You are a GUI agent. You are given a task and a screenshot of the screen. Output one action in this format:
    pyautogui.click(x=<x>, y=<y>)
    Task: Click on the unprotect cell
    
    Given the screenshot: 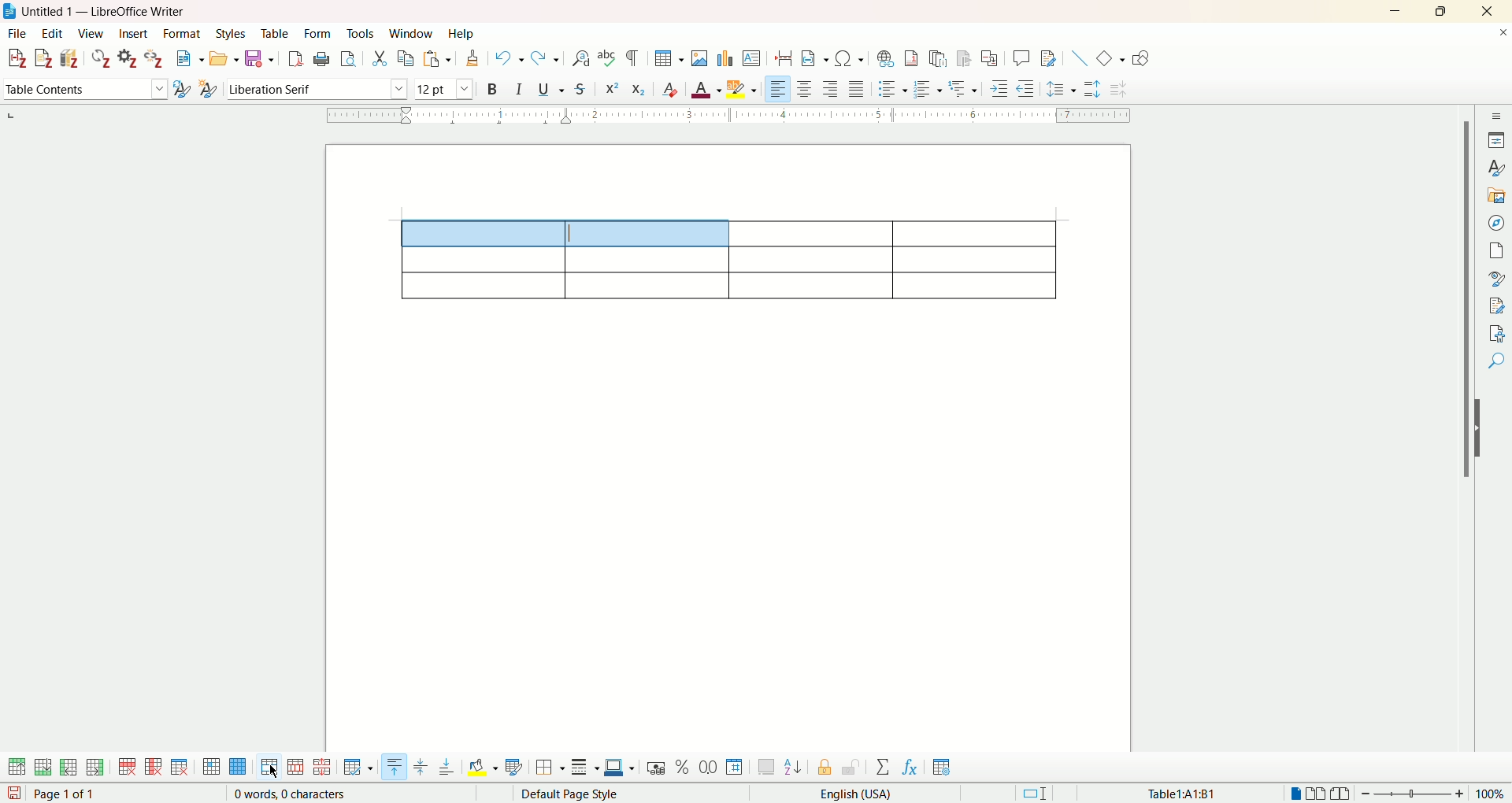 What is the action you would take?
    pyautogui.click(x=850, y=765)
    